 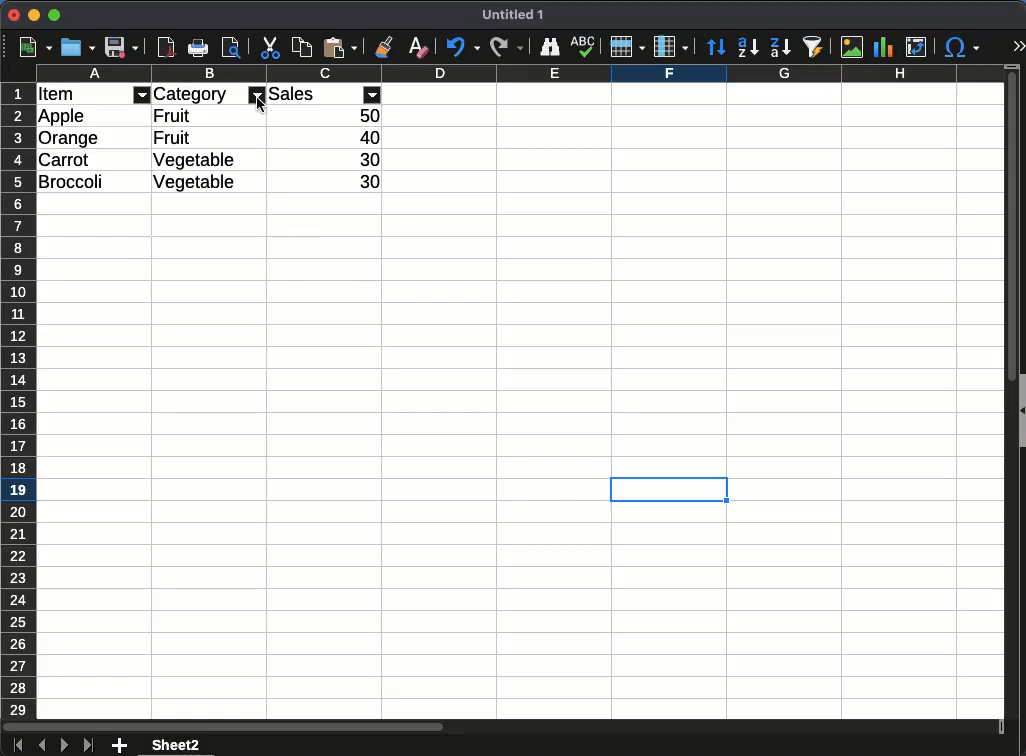 What do you see at coordinates (256, 94) in the screenshot?
I see `fitler` at bounding box center [256, 94].